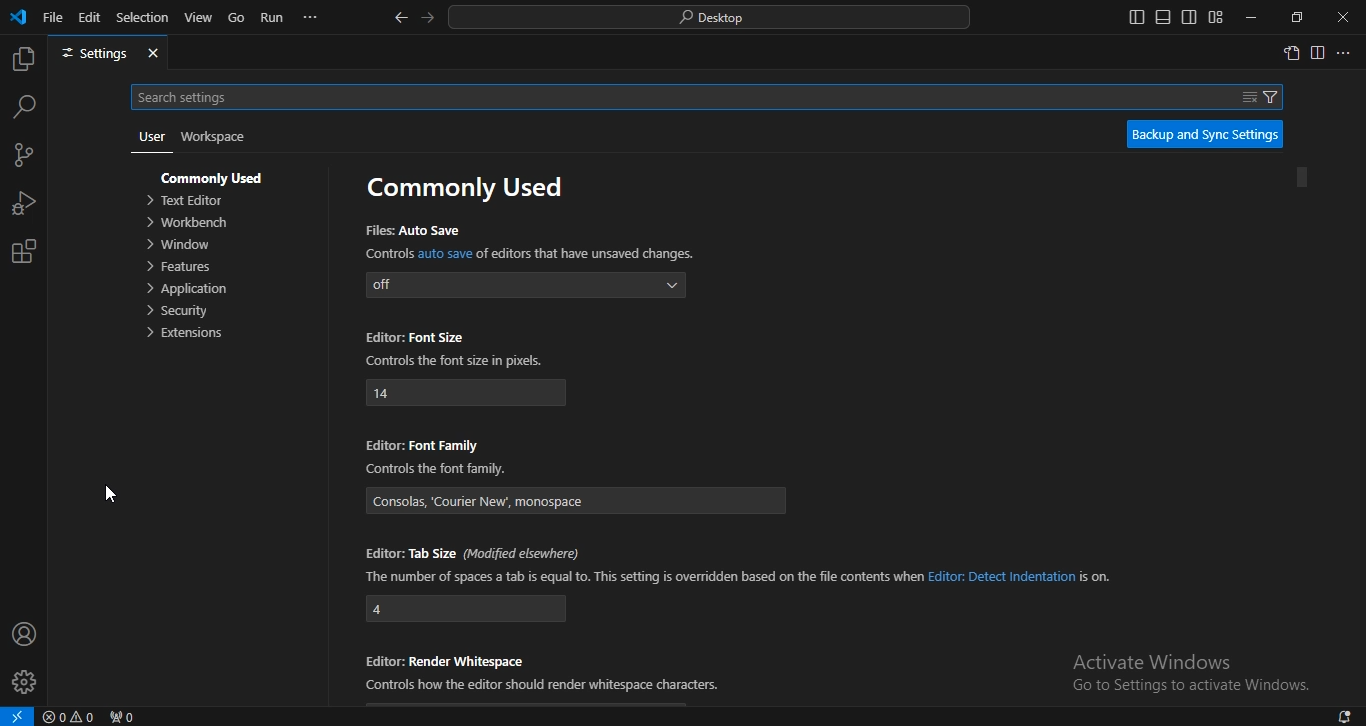  Describe the element at coordinates (153, 138) in the screenshot. I see `user` at that location.